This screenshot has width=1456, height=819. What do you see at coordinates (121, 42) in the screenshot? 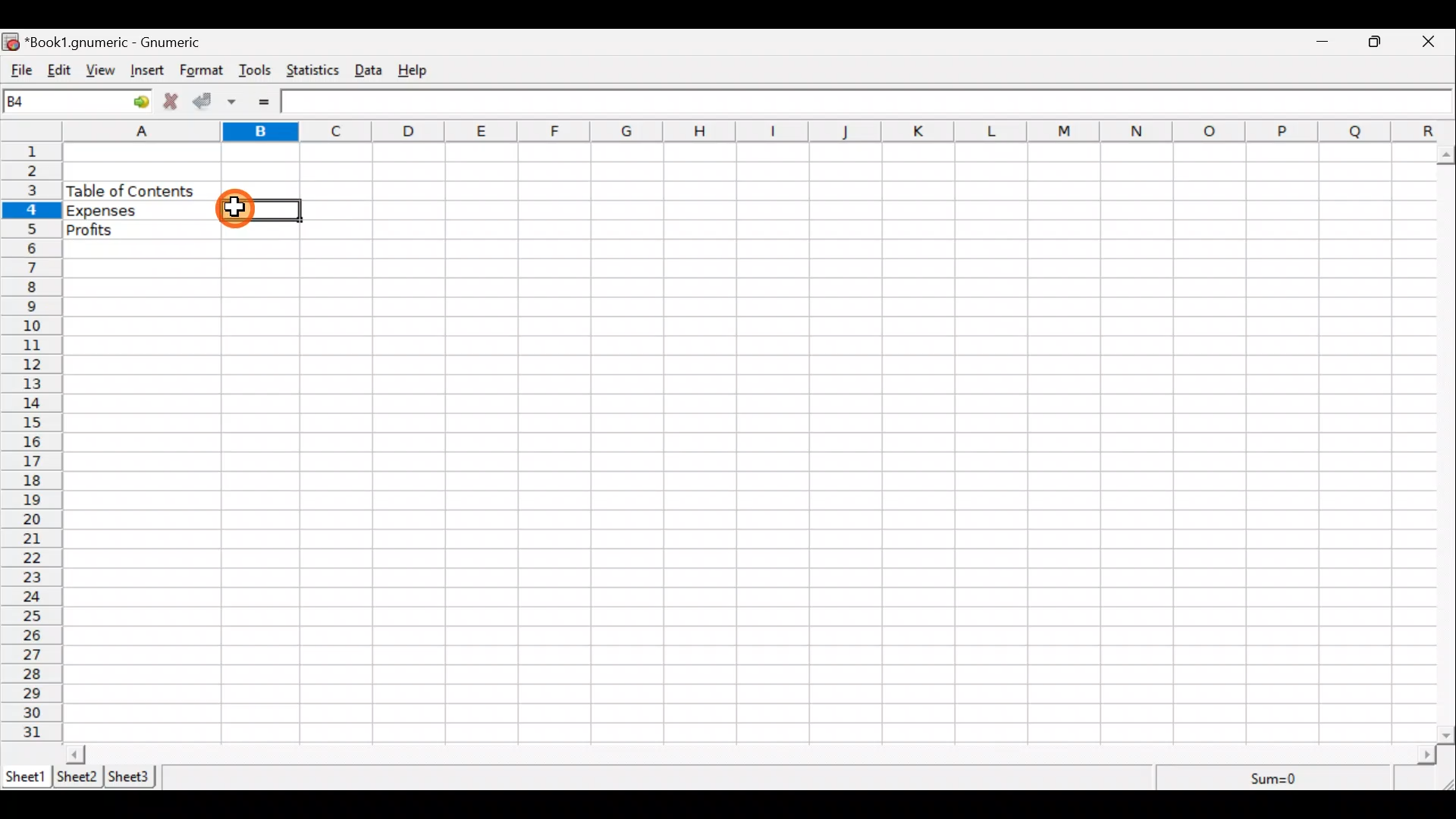
I see `“Book1.gnumeric - Gnumeric` at bounding box center [121, 42].